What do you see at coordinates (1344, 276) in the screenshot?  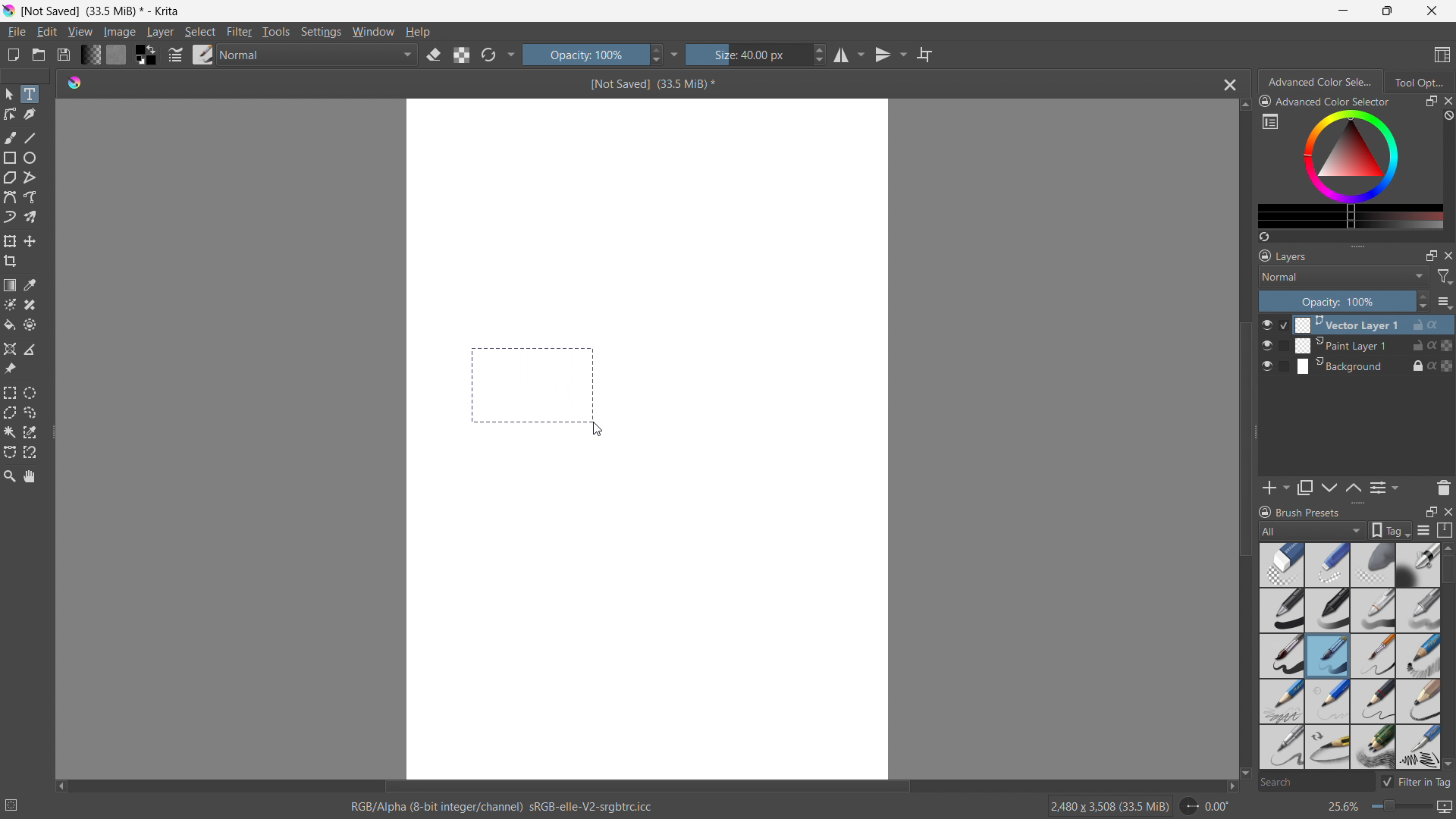 I see `blending mode` at bounding box center [1344, 276].